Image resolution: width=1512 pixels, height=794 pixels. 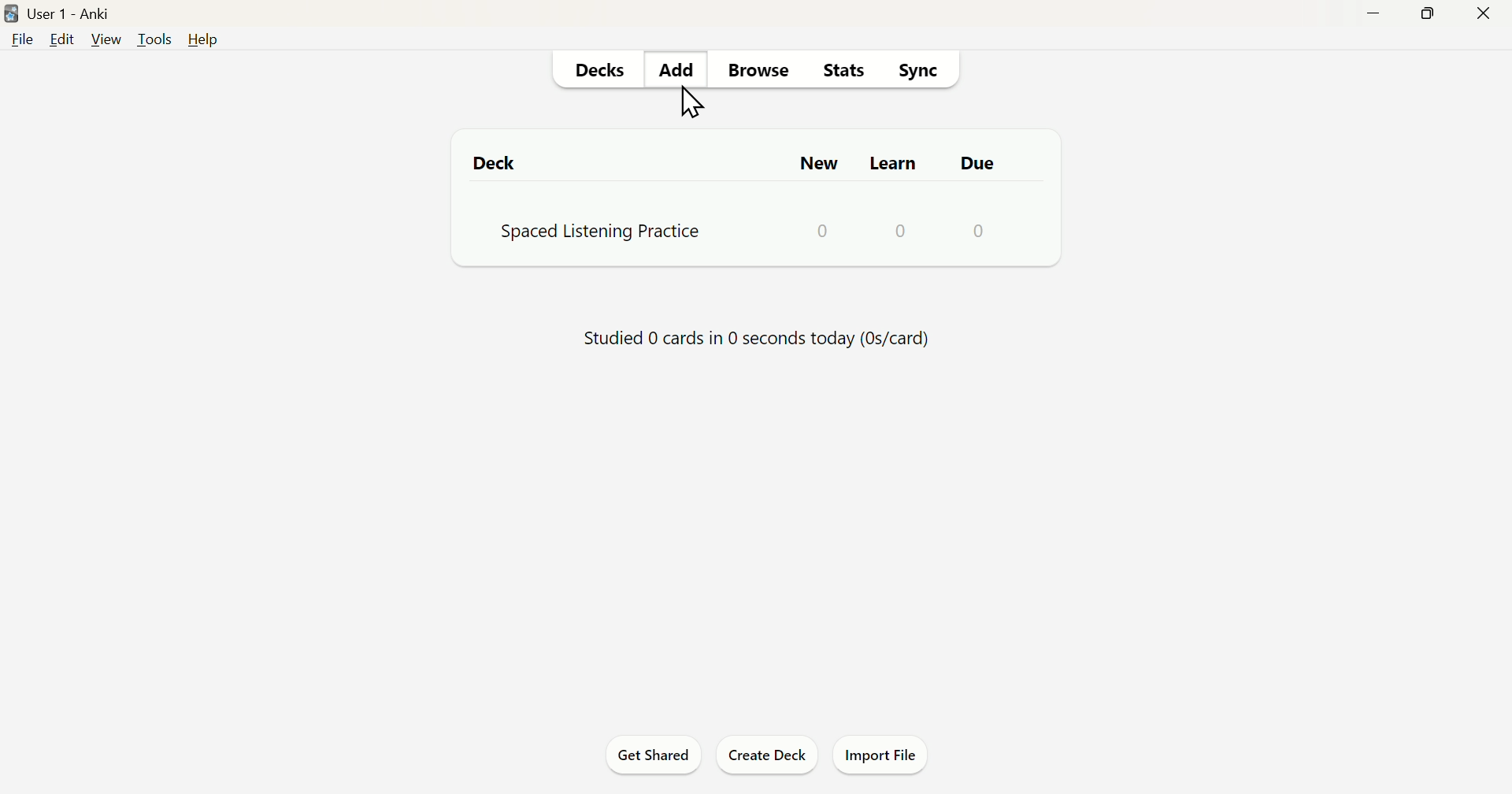 What do you see at coordinates (839, 73) in the screenshot?
I see `Stats` at bounding box center [839, 73].